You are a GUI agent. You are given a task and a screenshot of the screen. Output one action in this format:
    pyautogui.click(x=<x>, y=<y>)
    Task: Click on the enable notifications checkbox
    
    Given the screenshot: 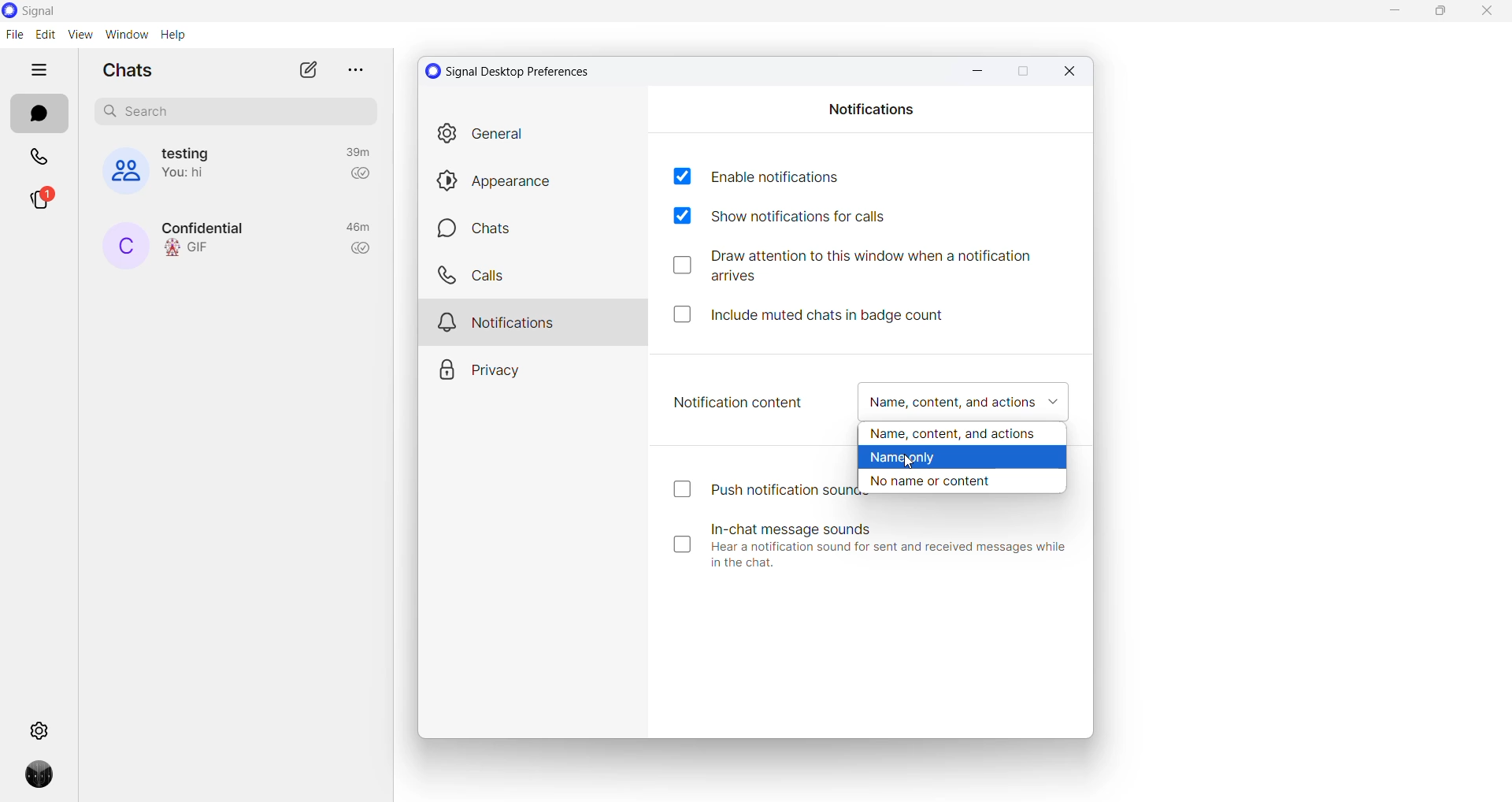 What is the action you would take?
    pyautogui.click(x=754, y=175)
    